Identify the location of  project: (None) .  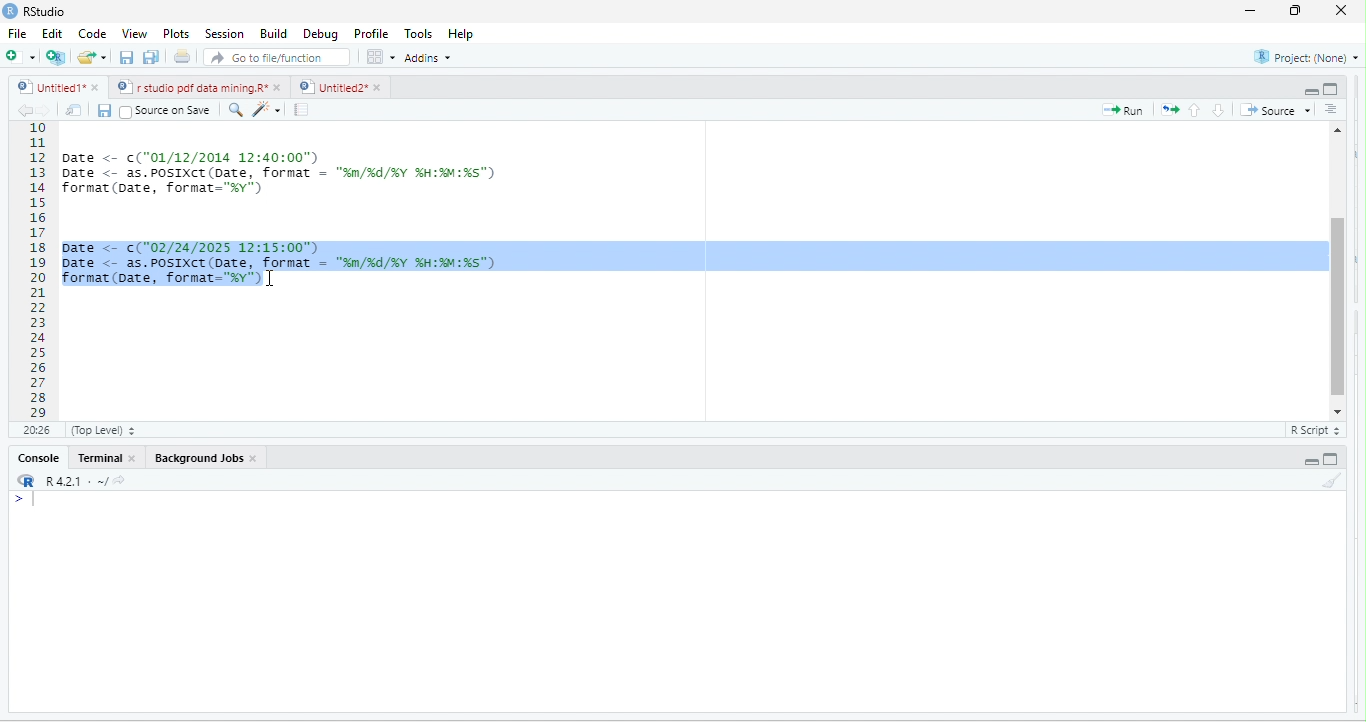
(1303, 56).